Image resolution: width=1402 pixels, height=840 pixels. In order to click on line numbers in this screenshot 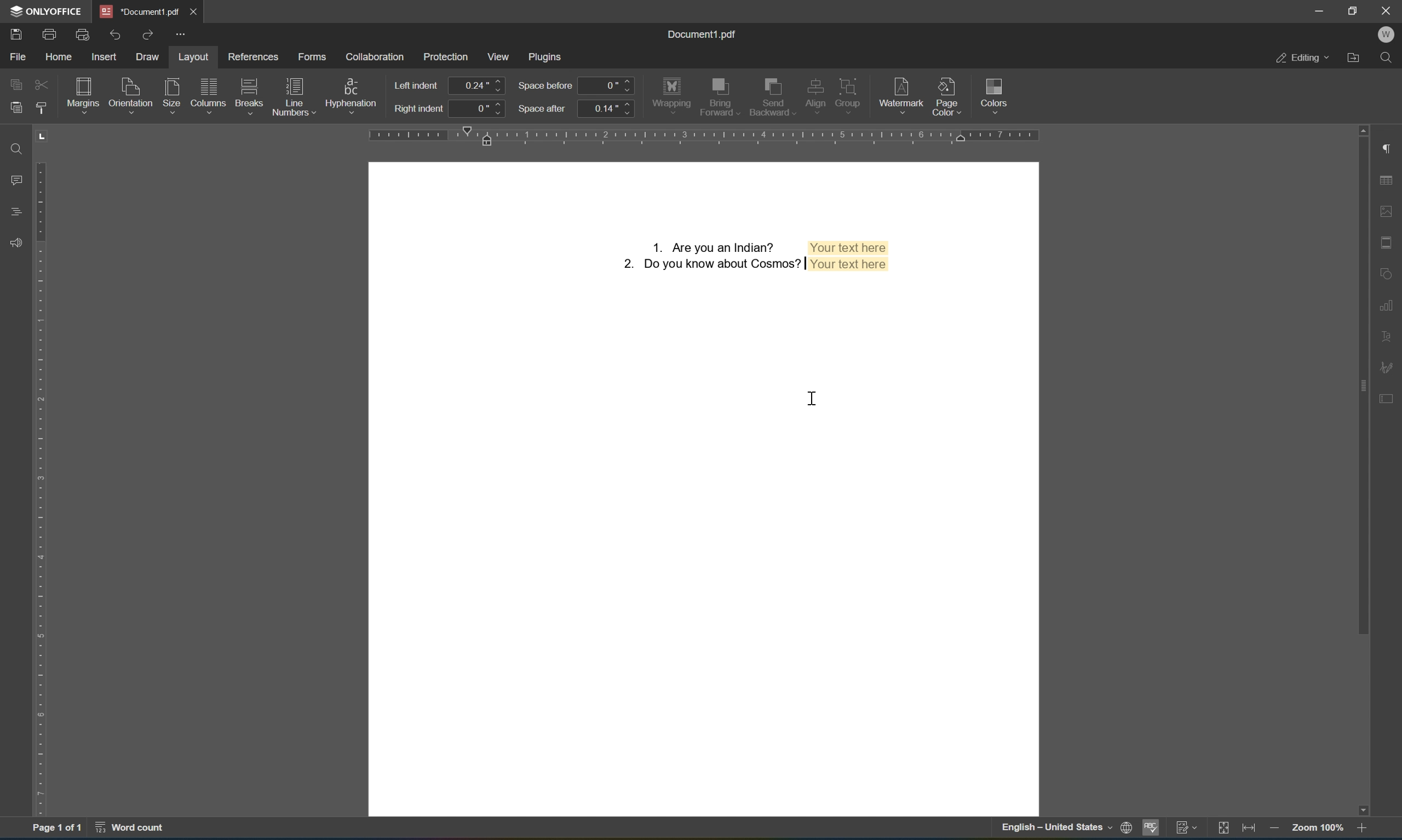, I will do `click(292, 96)`.